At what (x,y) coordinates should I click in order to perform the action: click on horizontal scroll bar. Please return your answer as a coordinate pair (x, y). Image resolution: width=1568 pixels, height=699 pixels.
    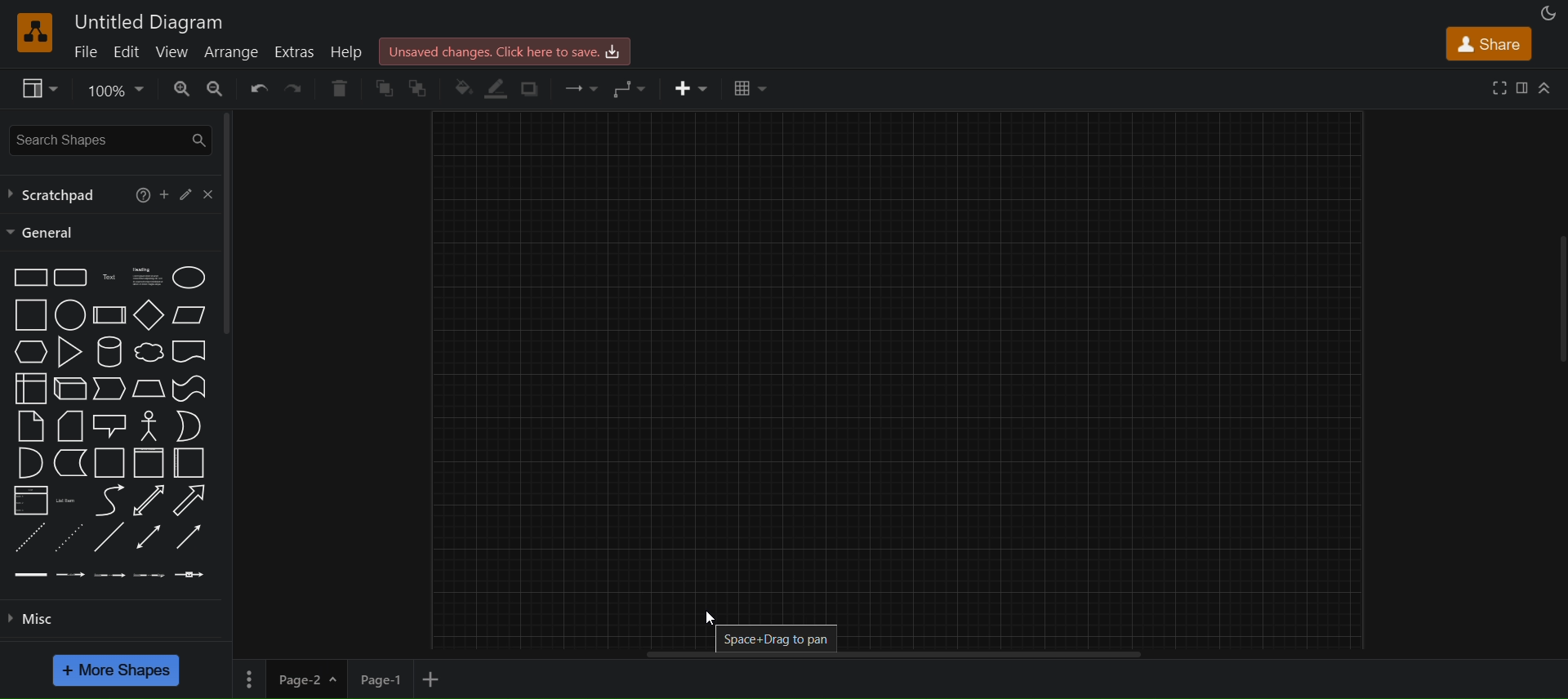
    Looking at the image, I should click on (888, 655).